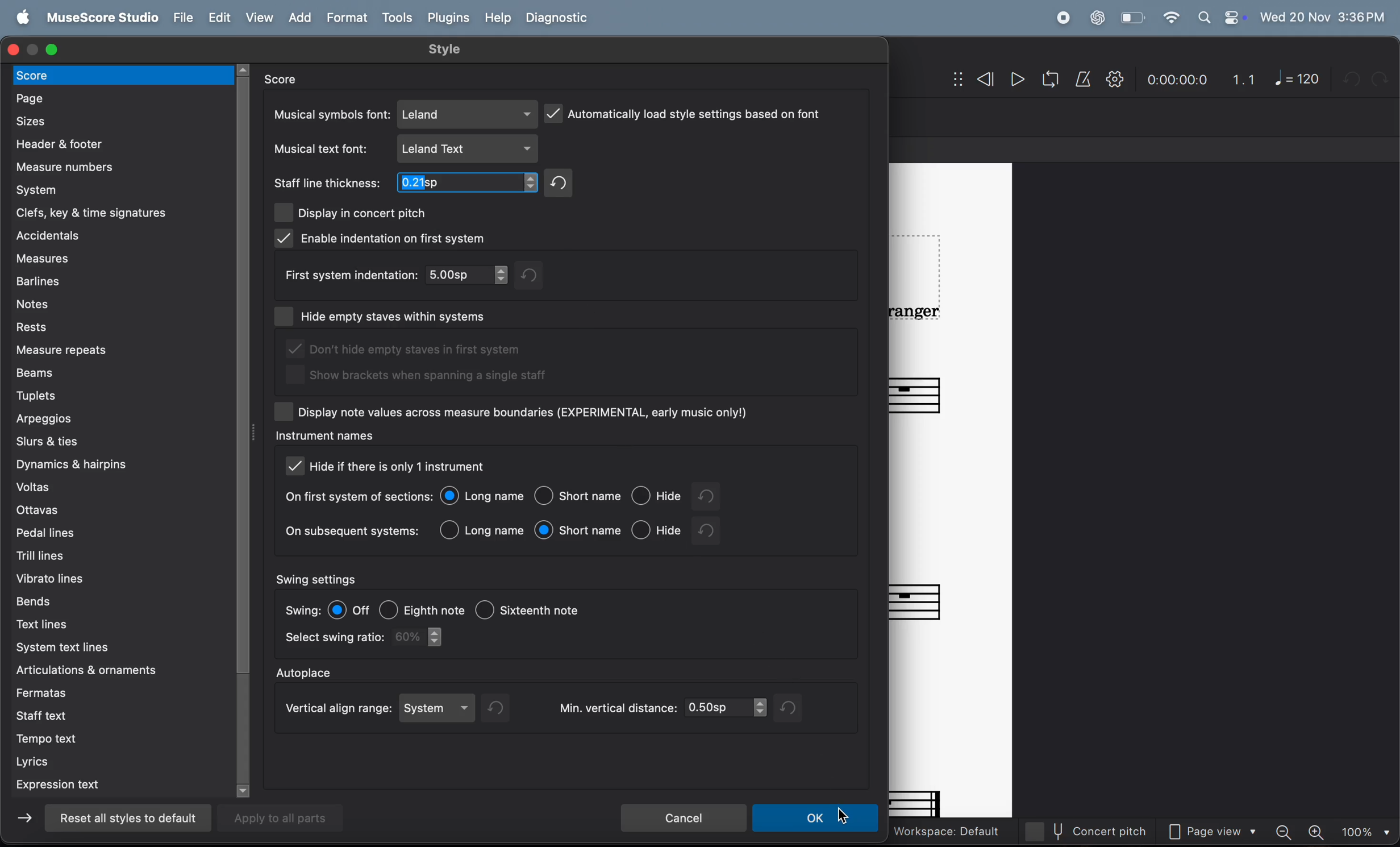 The height and width of the screenshot is (847, 1400). I want to click on box, so click(286, 318).